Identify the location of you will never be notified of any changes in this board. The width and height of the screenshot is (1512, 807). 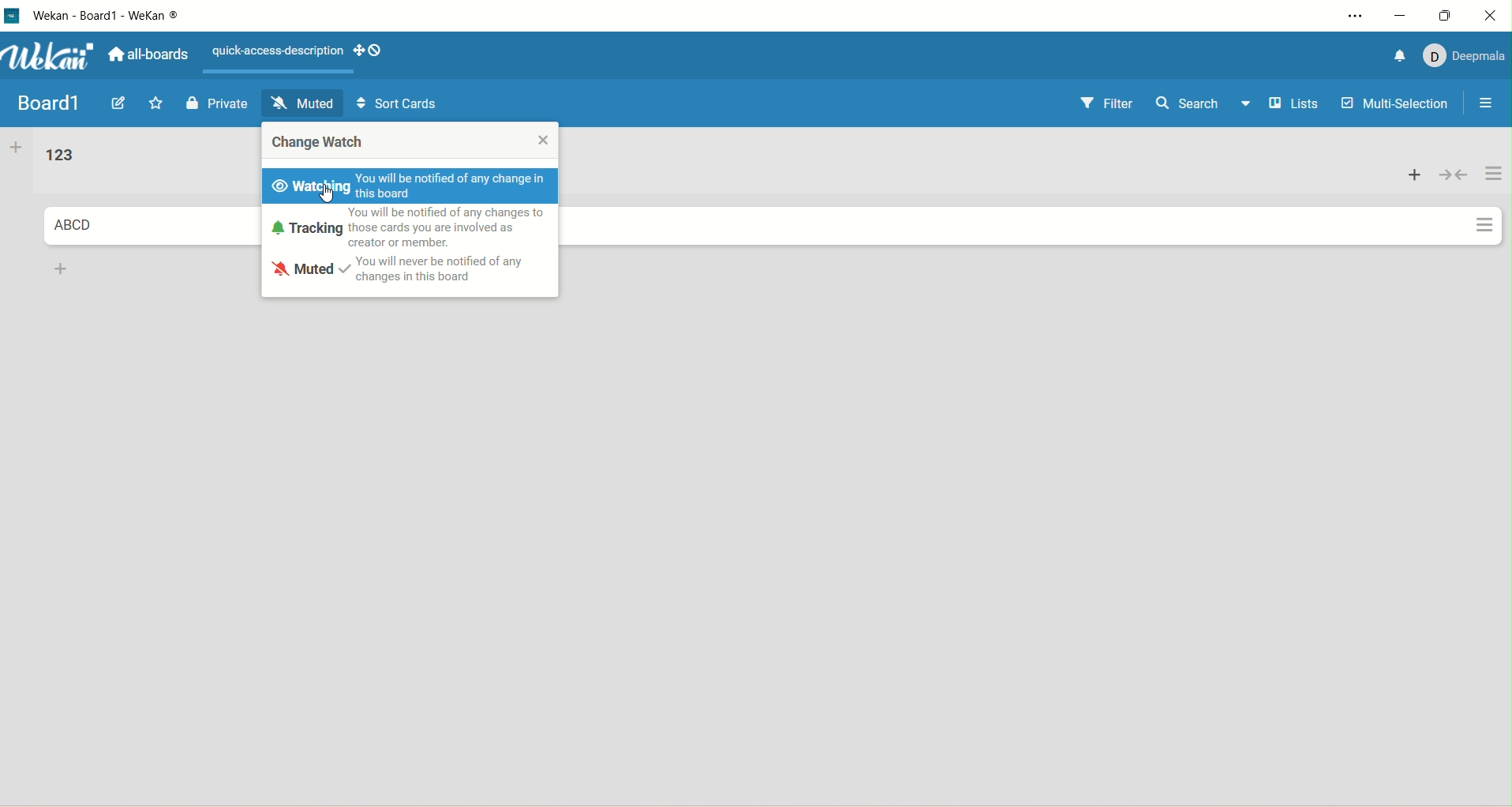
(438, 268).